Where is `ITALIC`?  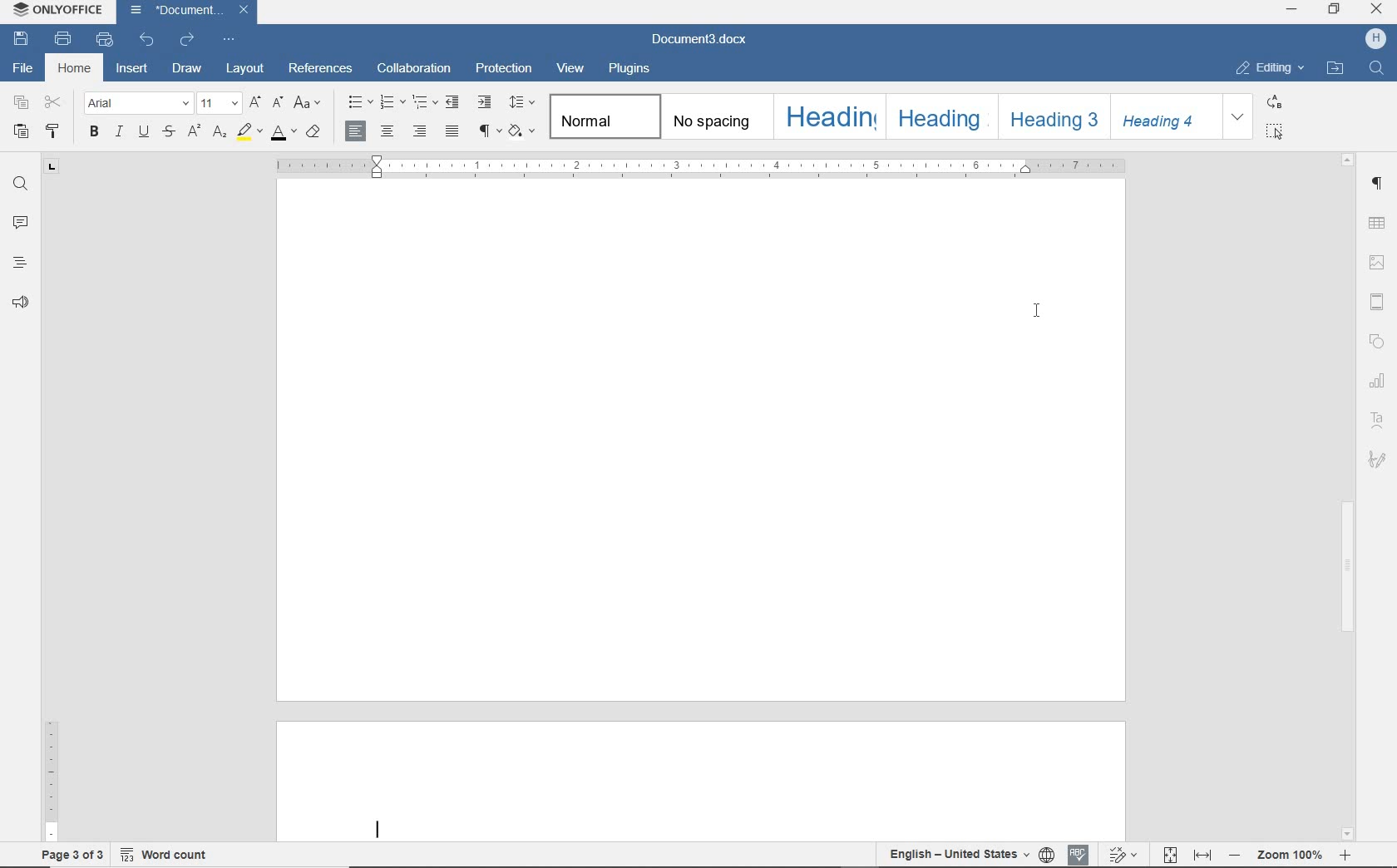 ITALIC is located at coordinates (119, 133).